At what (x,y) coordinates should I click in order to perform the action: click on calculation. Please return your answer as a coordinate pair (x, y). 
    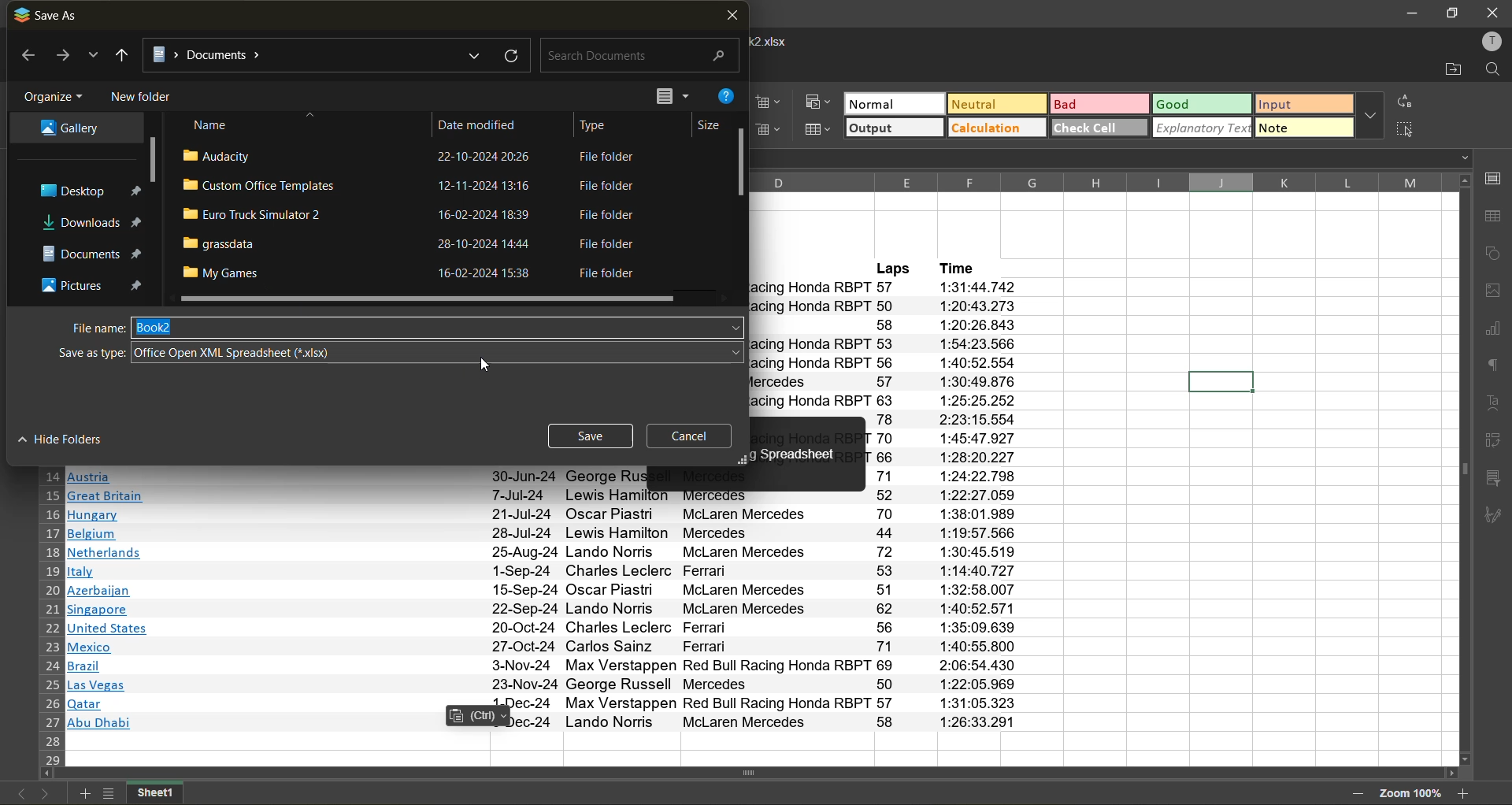
    Looking at the image, I should click on (997, 129).